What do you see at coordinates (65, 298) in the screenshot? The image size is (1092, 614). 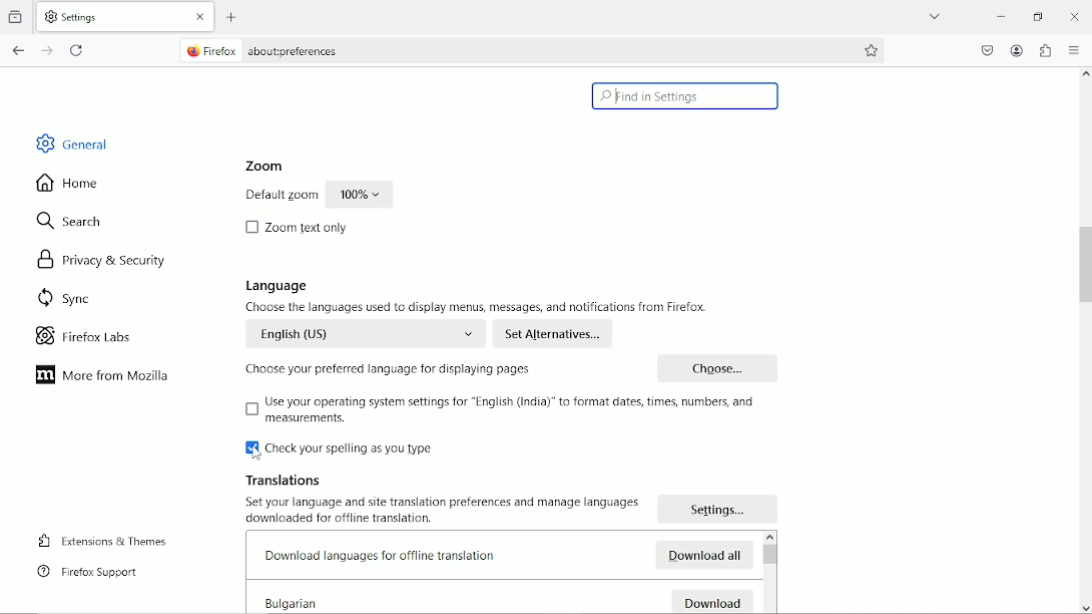 I see `Sync` at bounding box center [65, 298].